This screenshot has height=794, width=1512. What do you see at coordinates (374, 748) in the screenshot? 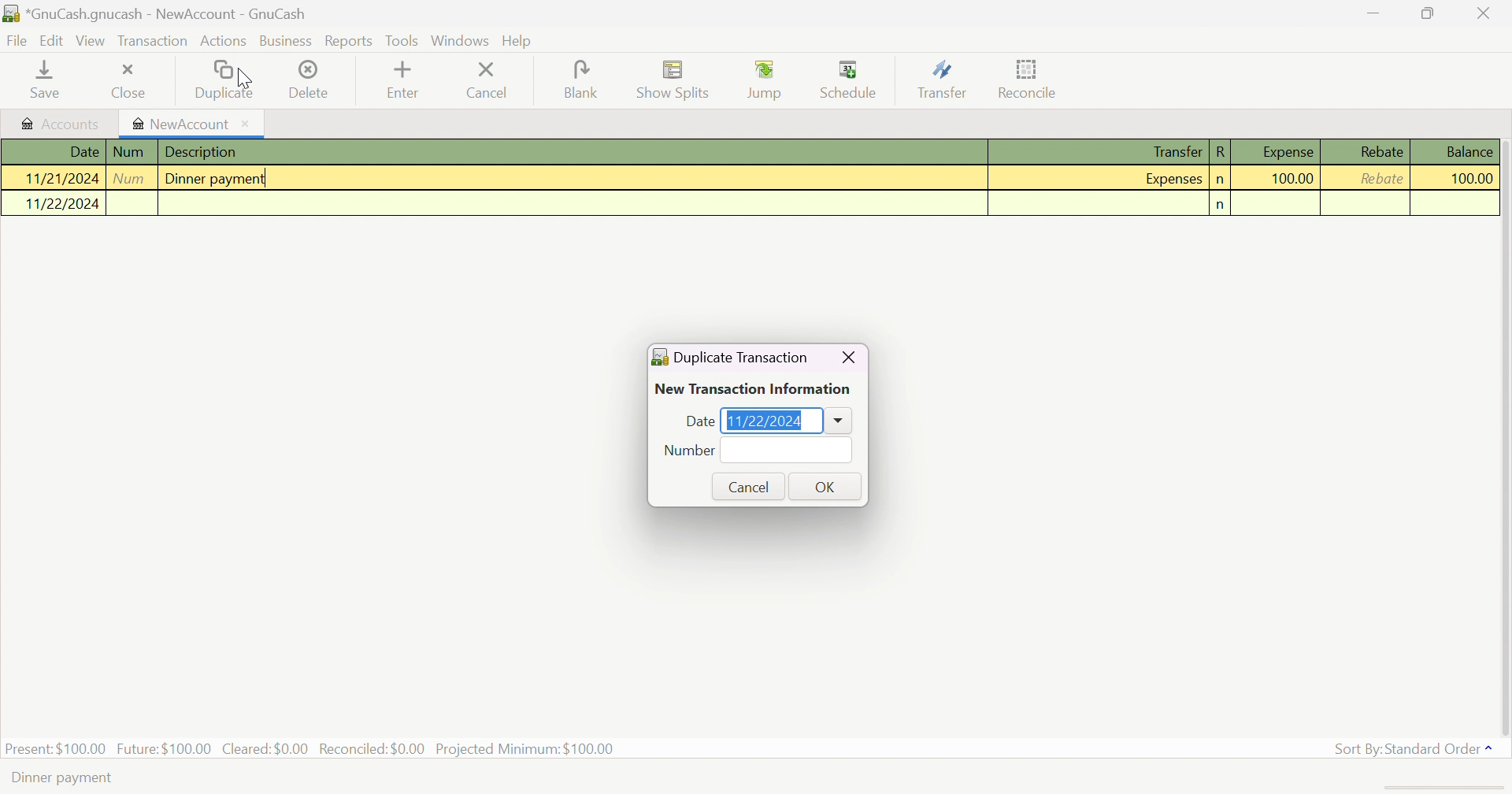
I see `Reconciled: $0.00` at bounding box center [374, 748].